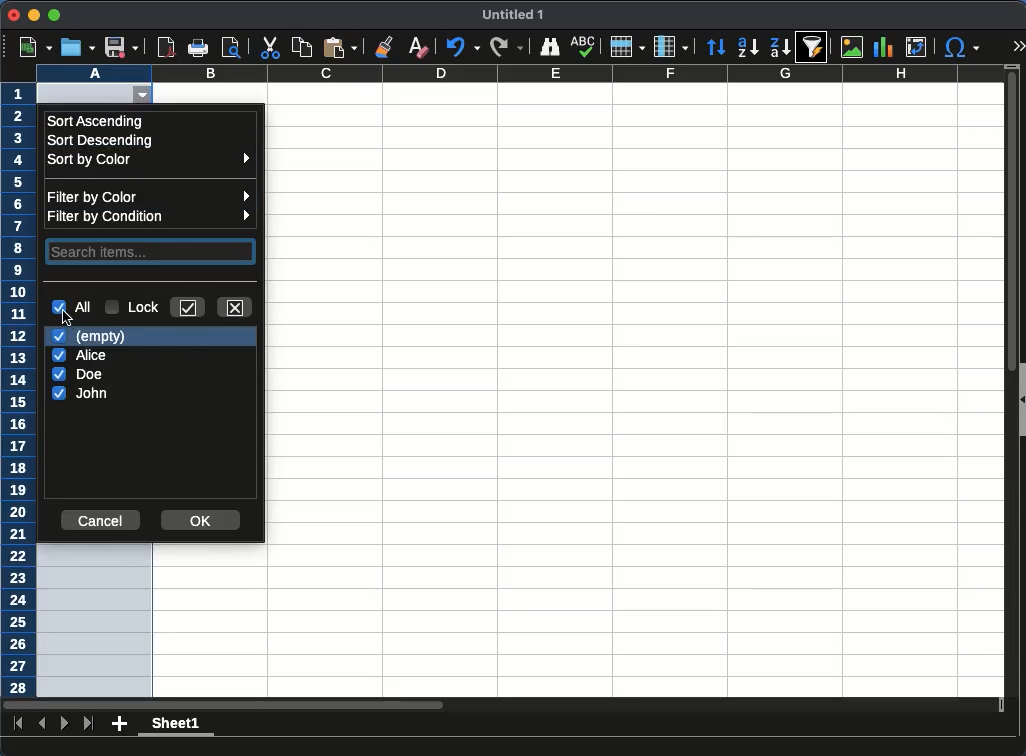 Image resolution: width=1026 pixels, height=756 pixels. I want to click on empty, so click(92, 338).